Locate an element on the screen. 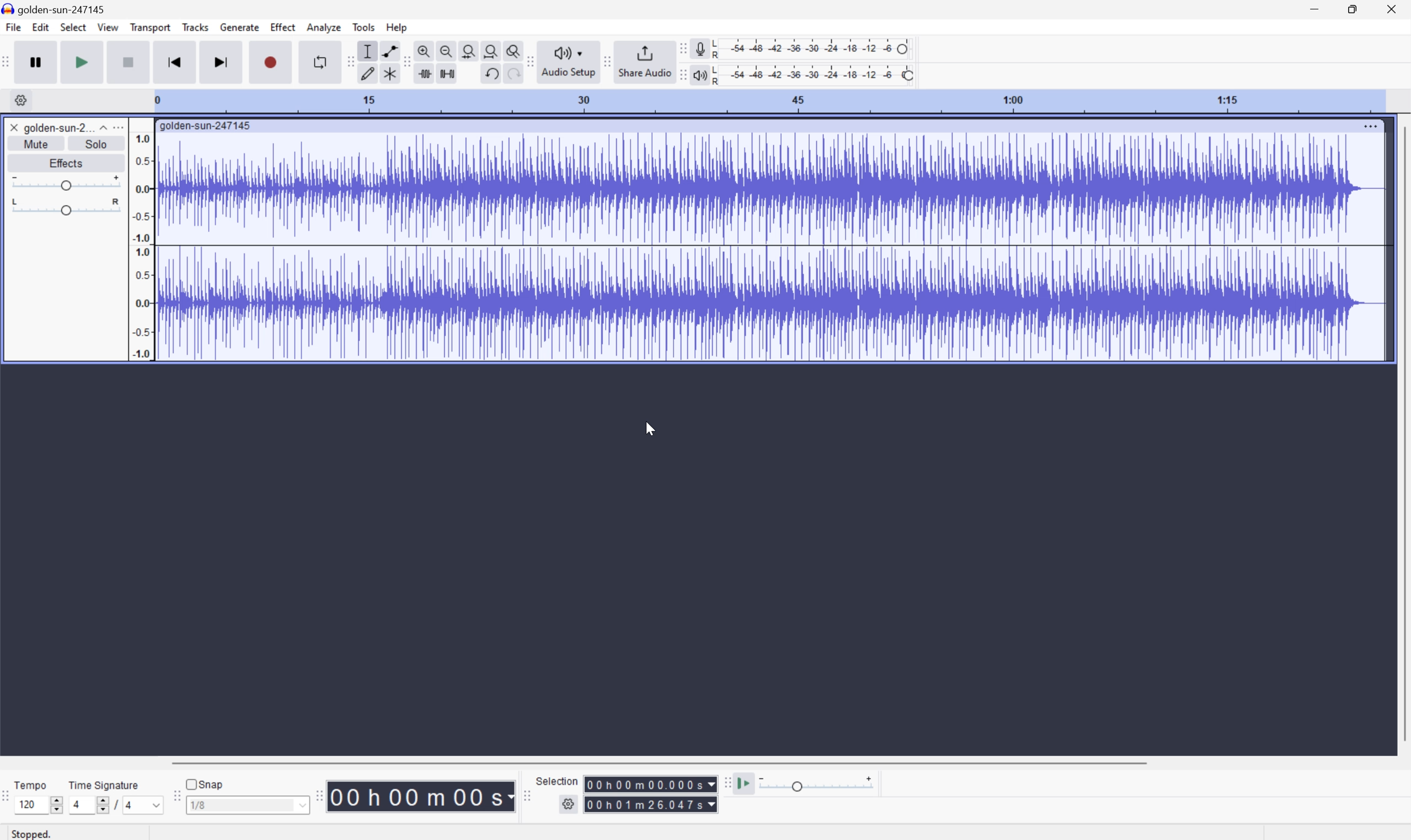 Image resolution: width=1411 pixels, height=840 pixels. Share Audio is located at coordinates (644, 61).